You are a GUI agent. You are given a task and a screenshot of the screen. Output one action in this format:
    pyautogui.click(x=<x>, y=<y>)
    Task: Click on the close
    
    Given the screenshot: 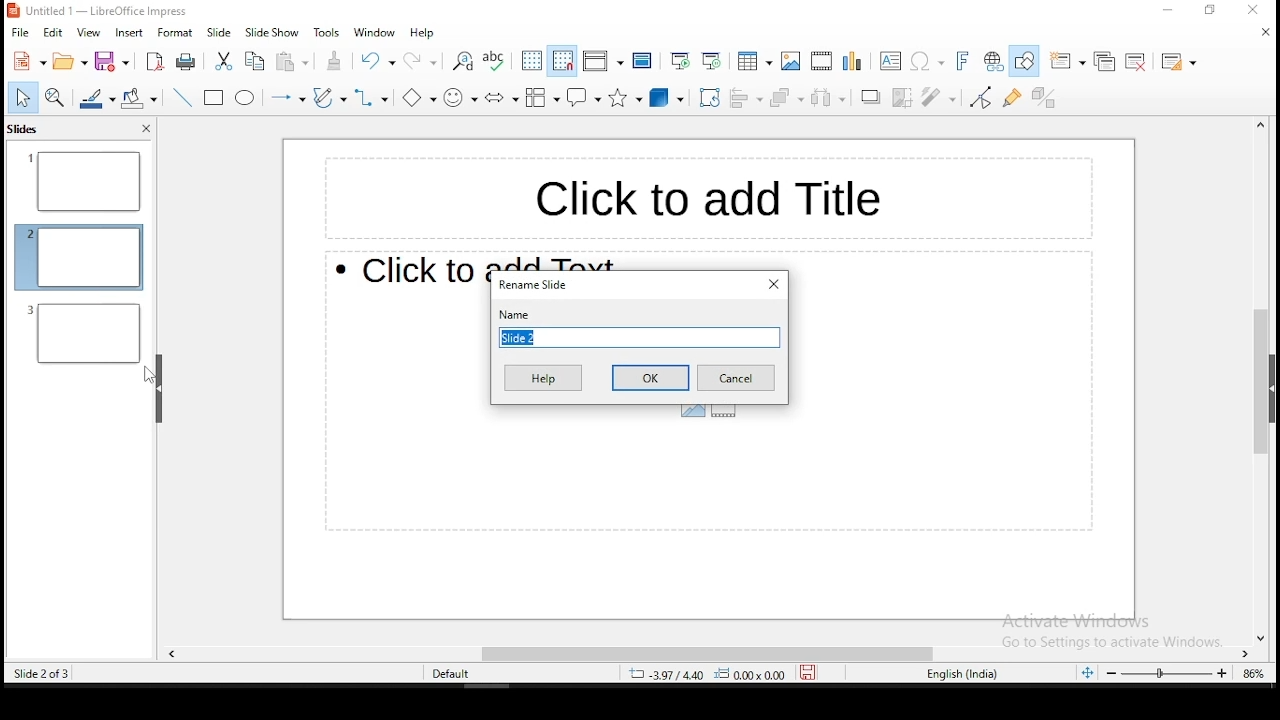 What is the action you would take?
    pyautogui.click(x=1263, y=36)
    